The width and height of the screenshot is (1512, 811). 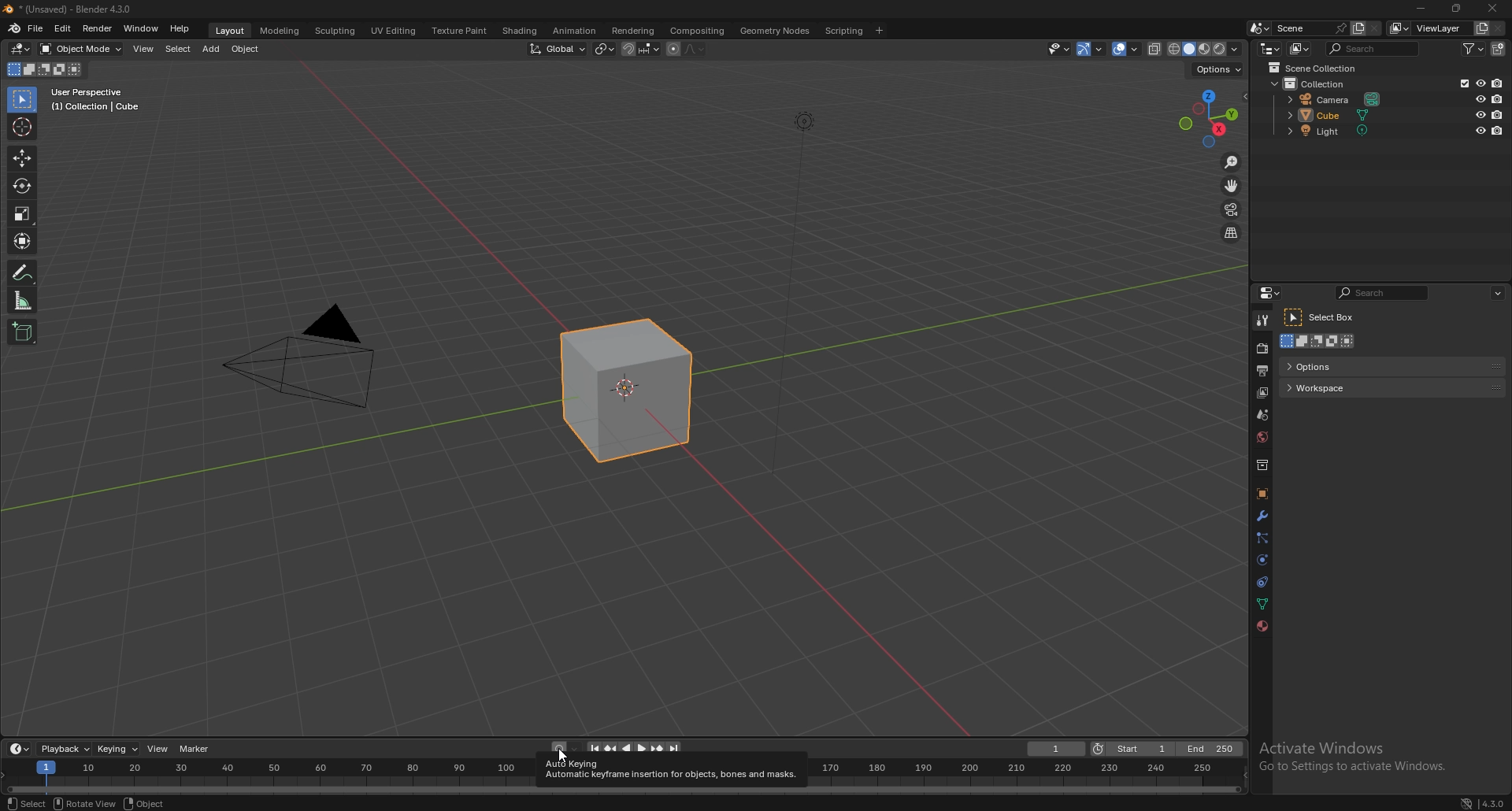 What do you see at coordinates (1482, 114) in the screenshot?
I see `hide in view port` at bounding box center [1482, 114].